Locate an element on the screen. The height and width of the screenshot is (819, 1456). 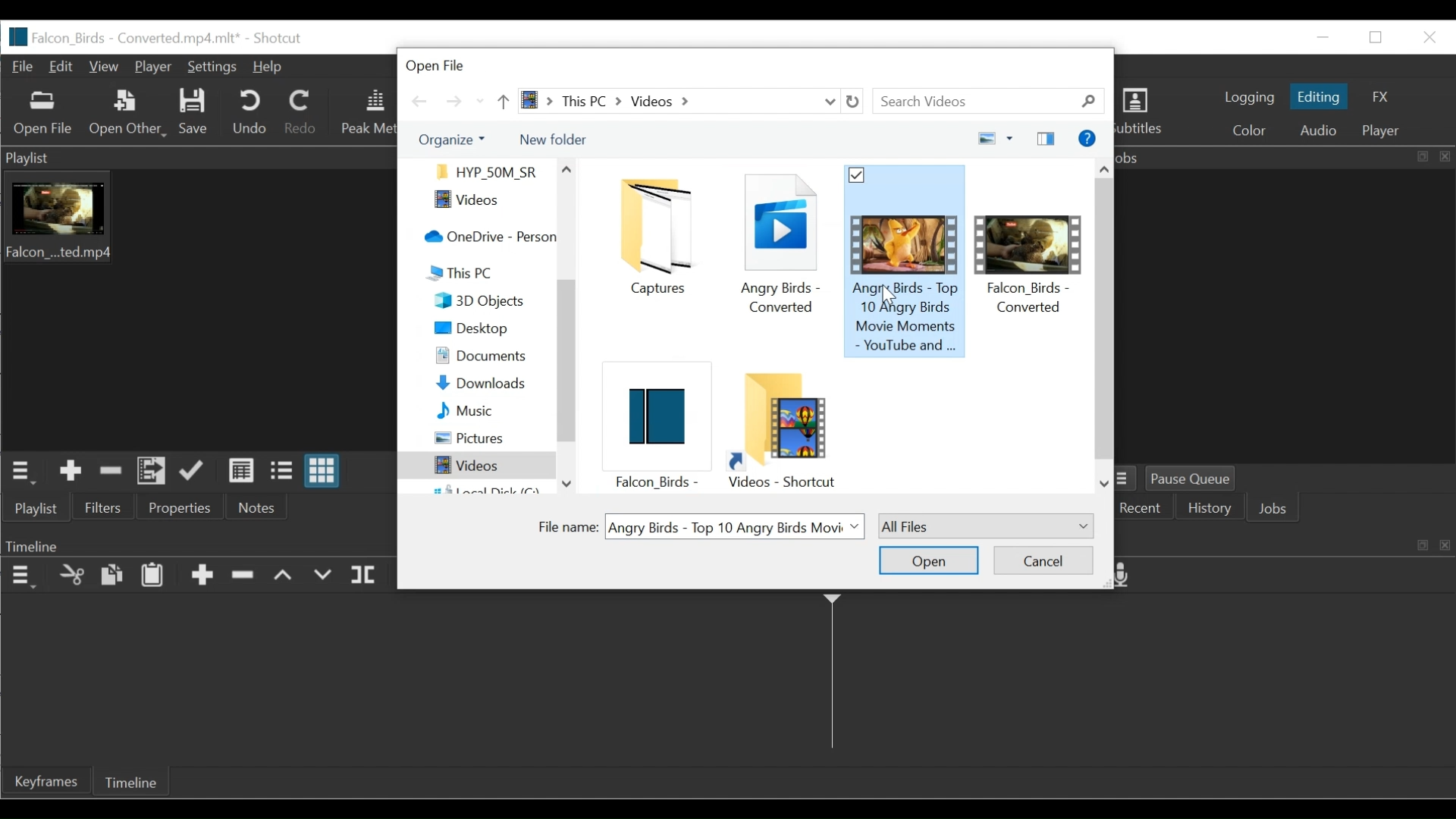
Falcon_birds - converted is located at coordinates (1031, 254).